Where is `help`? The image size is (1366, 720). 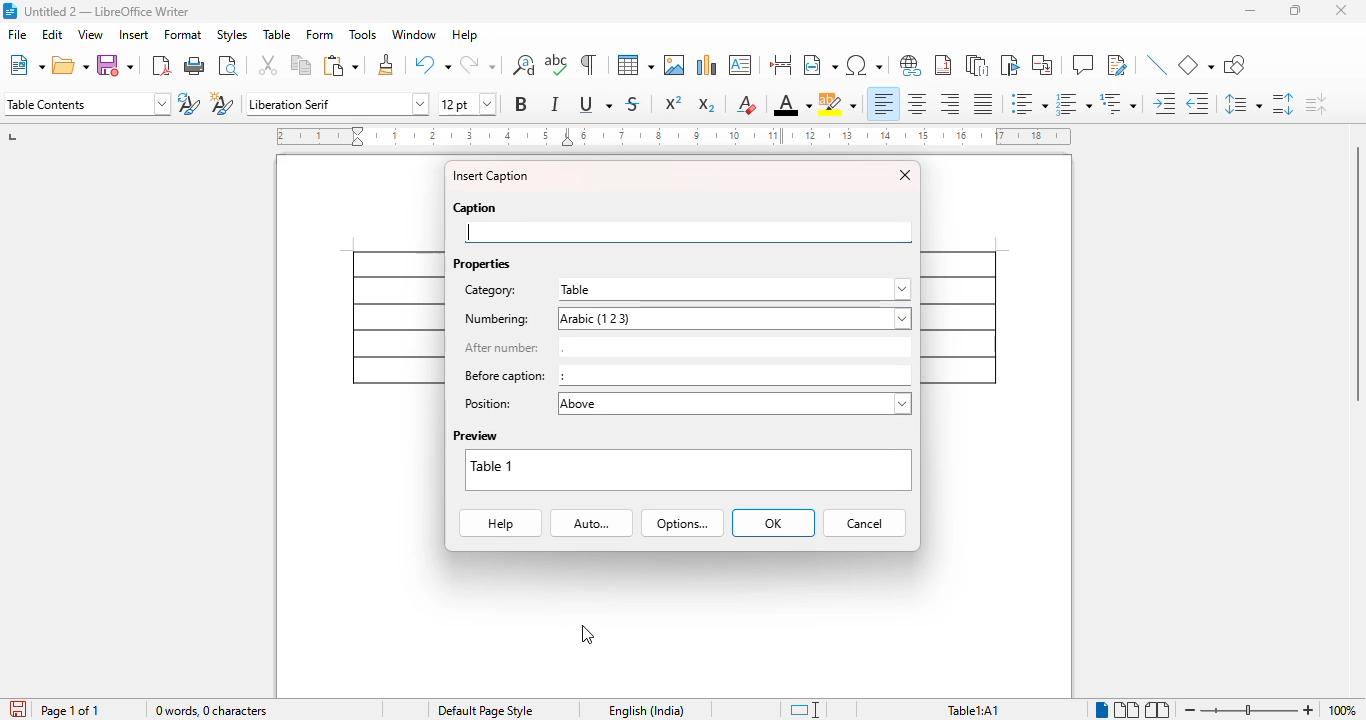 help is located at coordinates (500, 524).